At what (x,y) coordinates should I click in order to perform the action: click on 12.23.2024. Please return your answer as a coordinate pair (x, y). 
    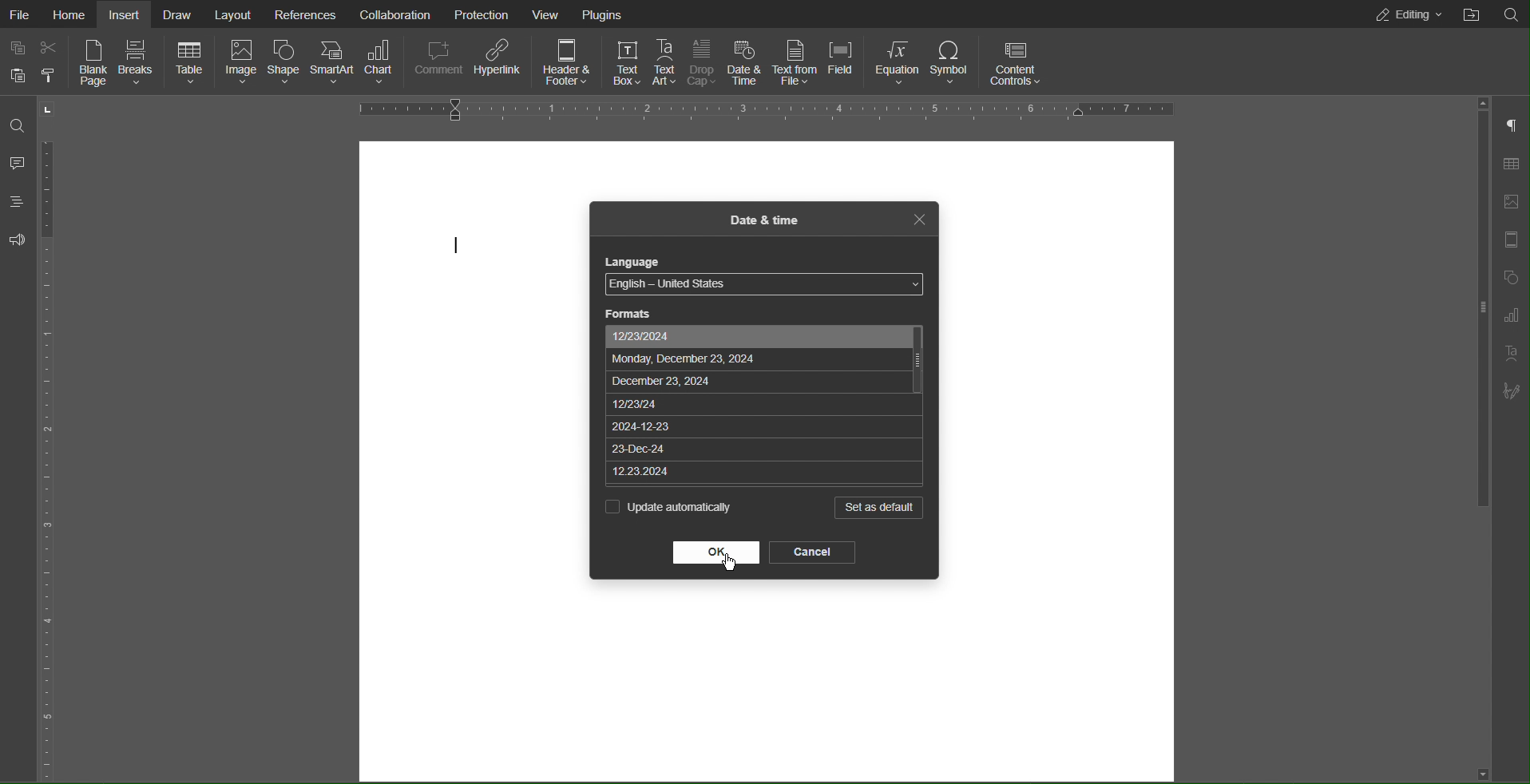
    Looking at the image, I should click on (763, 472).